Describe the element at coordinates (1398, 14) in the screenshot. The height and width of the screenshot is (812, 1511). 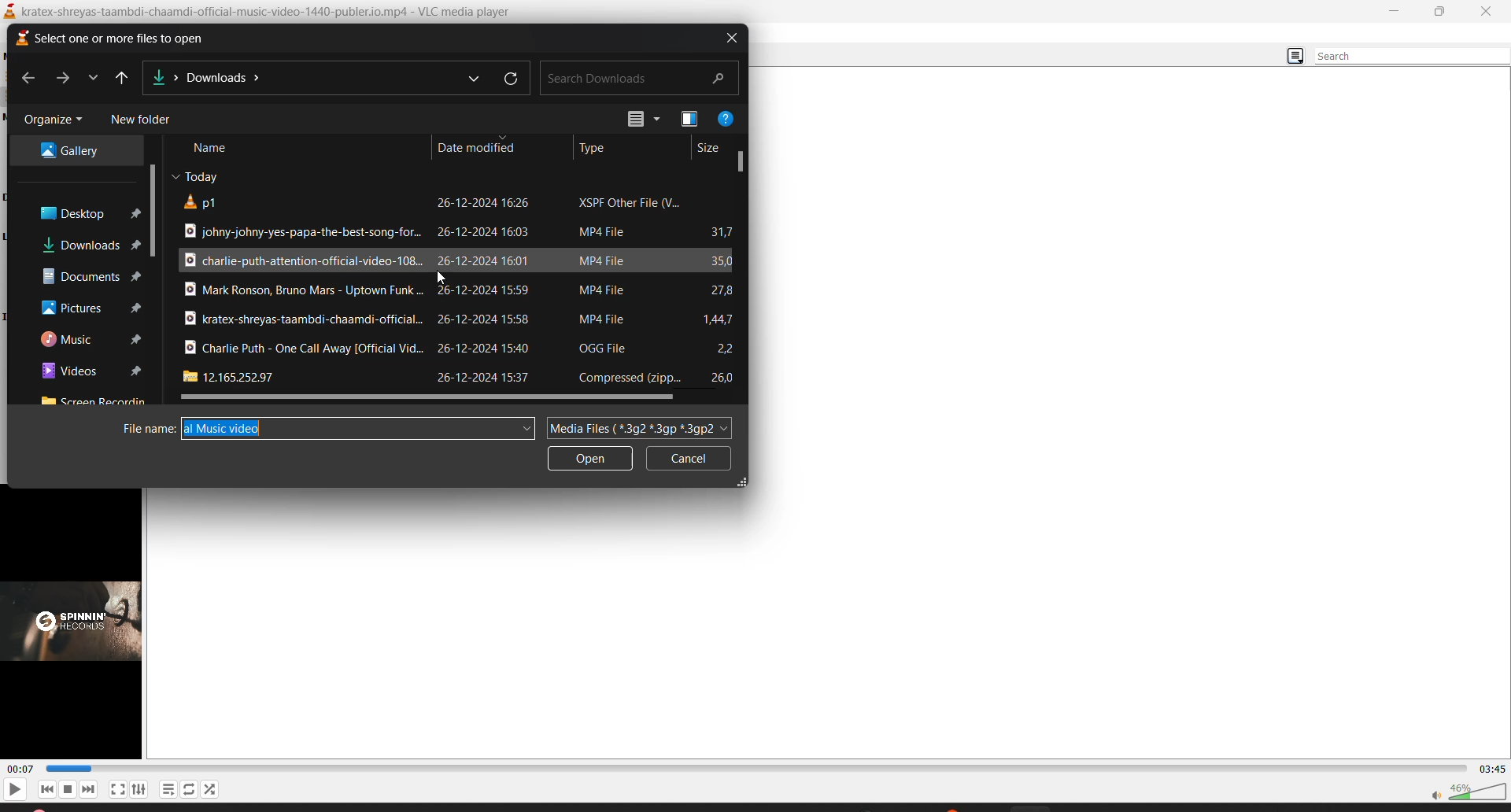
I see `minimize` at that location.